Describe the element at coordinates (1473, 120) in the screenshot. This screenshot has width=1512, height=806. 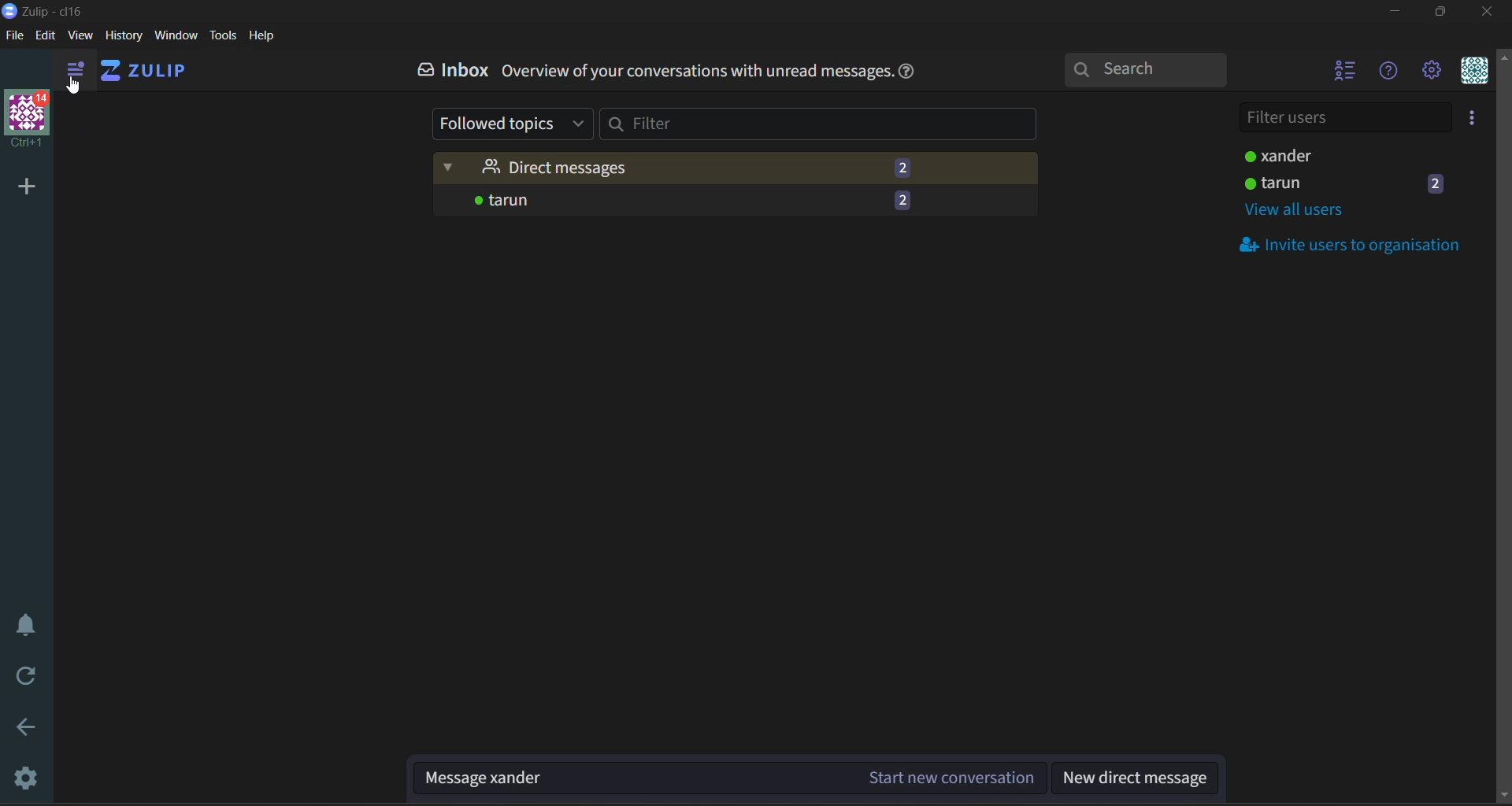
I see `invite users to organisation` at that location.